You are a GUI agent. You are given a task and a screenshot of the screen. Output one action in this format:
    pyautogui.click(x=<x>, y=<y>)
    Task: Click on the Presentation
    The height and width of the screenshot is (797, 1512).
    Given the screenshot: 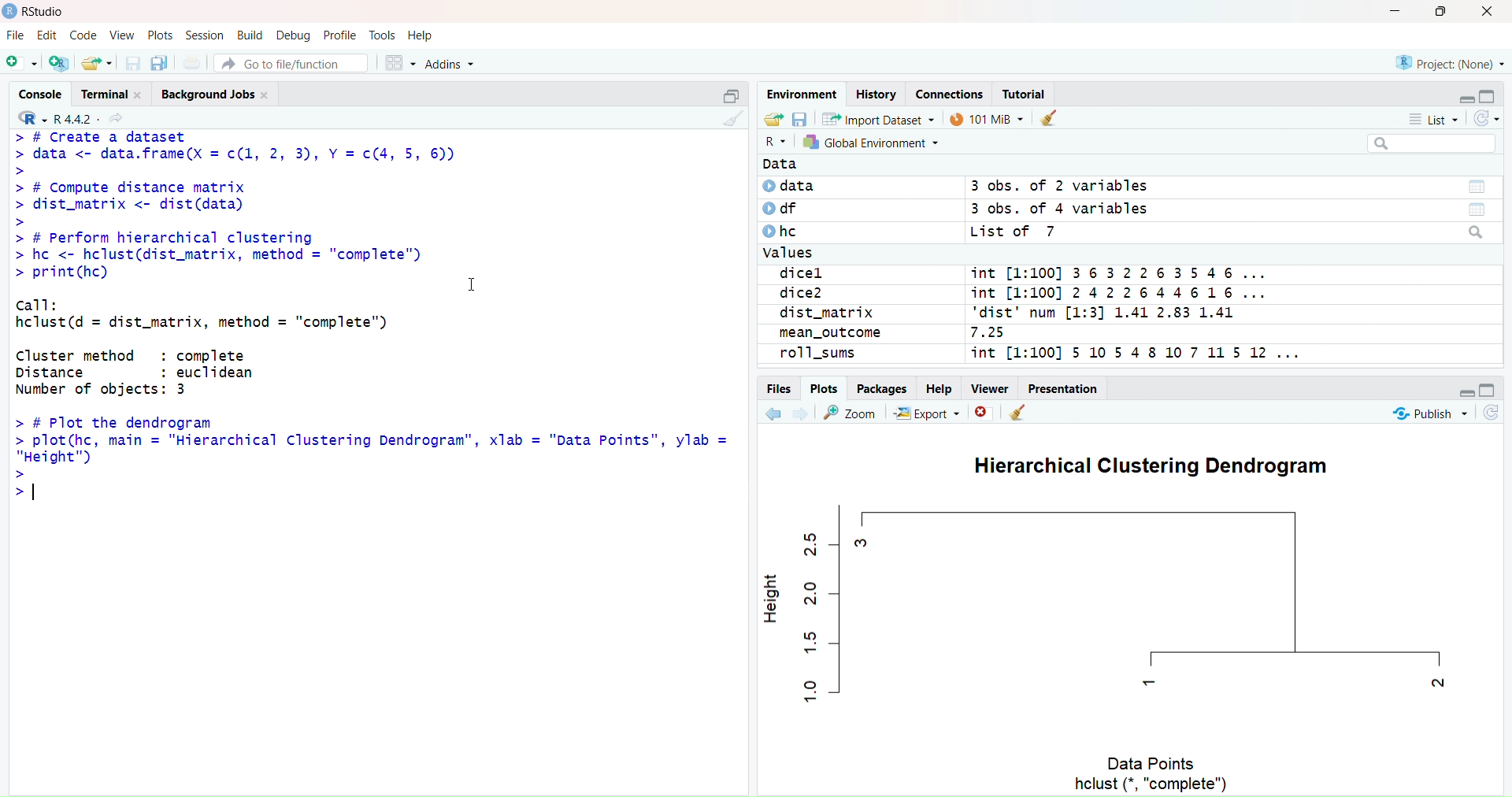 What is the action you would take?
    pyautogui.click(x=1065, y=386)
    